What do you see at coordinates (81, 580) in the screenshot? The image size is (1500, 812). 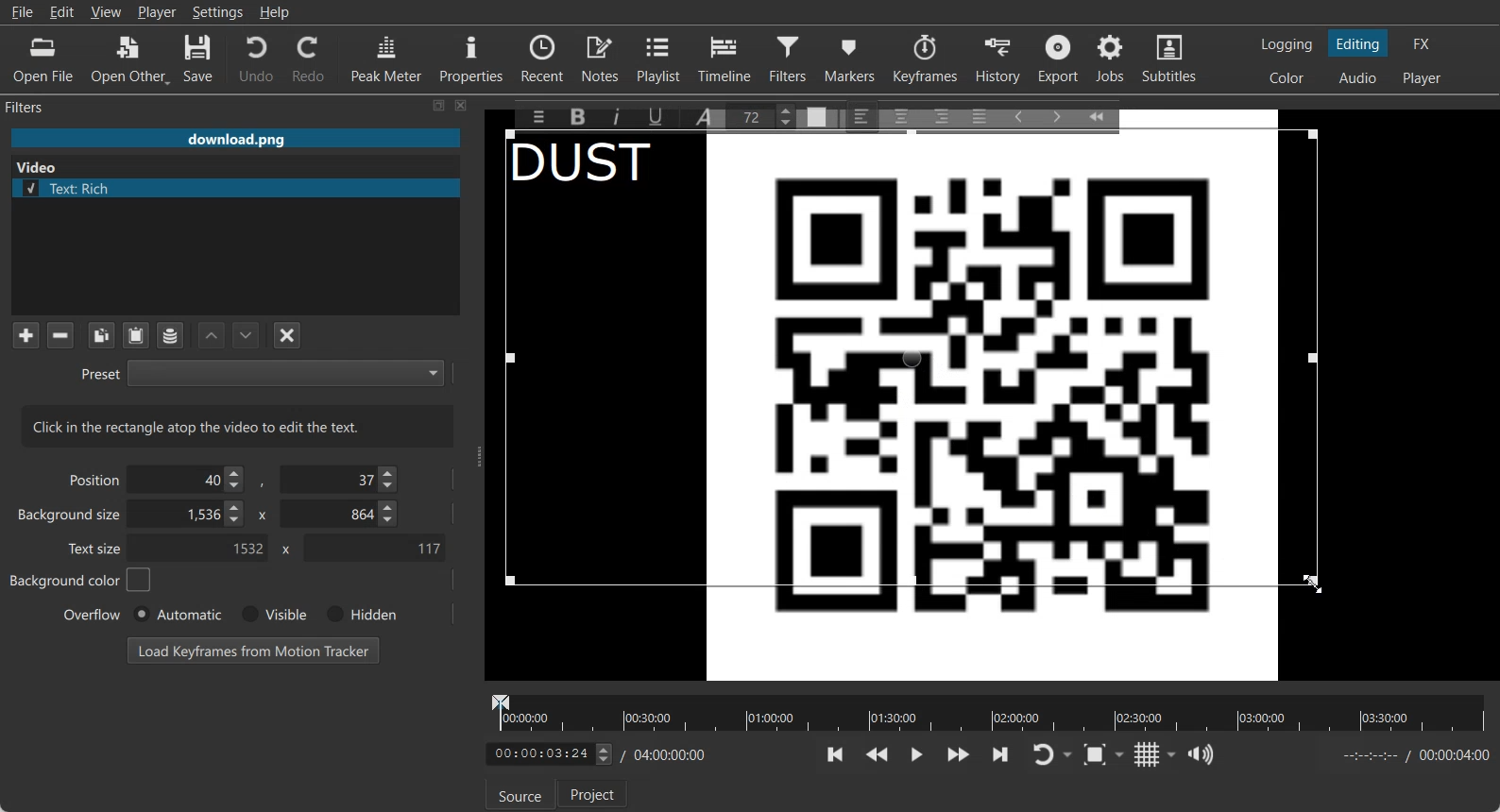 I see `Background color` at bounding box center [81, 580].